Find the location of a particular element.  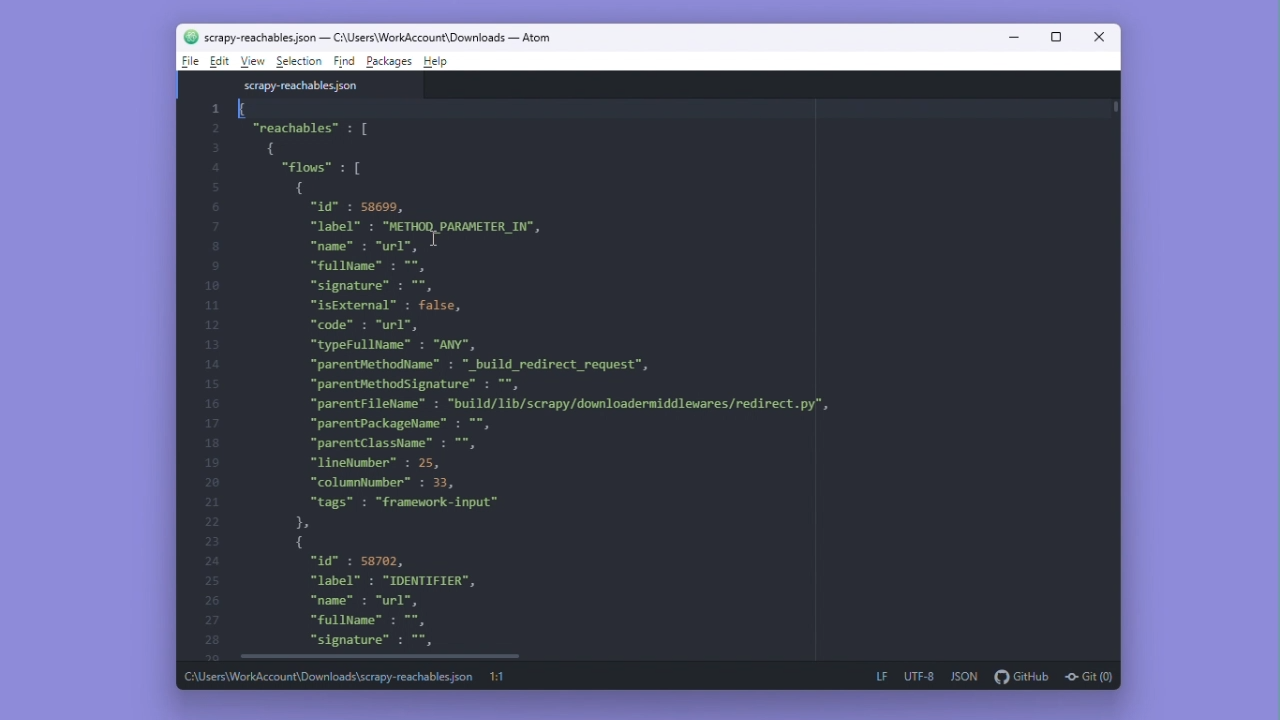

git (0) is located at coordinates (1089, 675).